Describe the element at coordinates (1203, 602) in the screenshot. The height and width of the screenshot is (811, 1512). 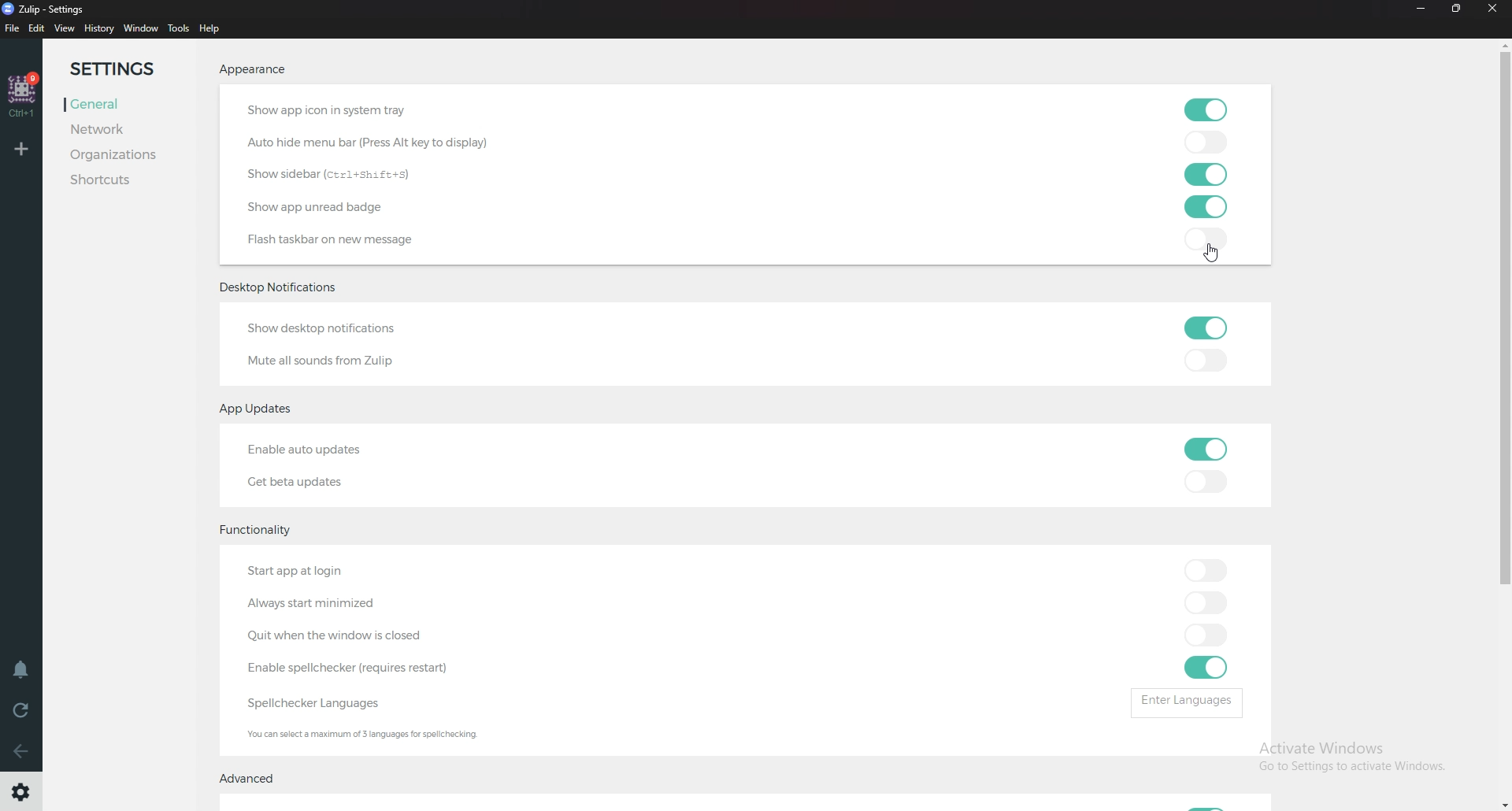
I see `toggle` at that location.